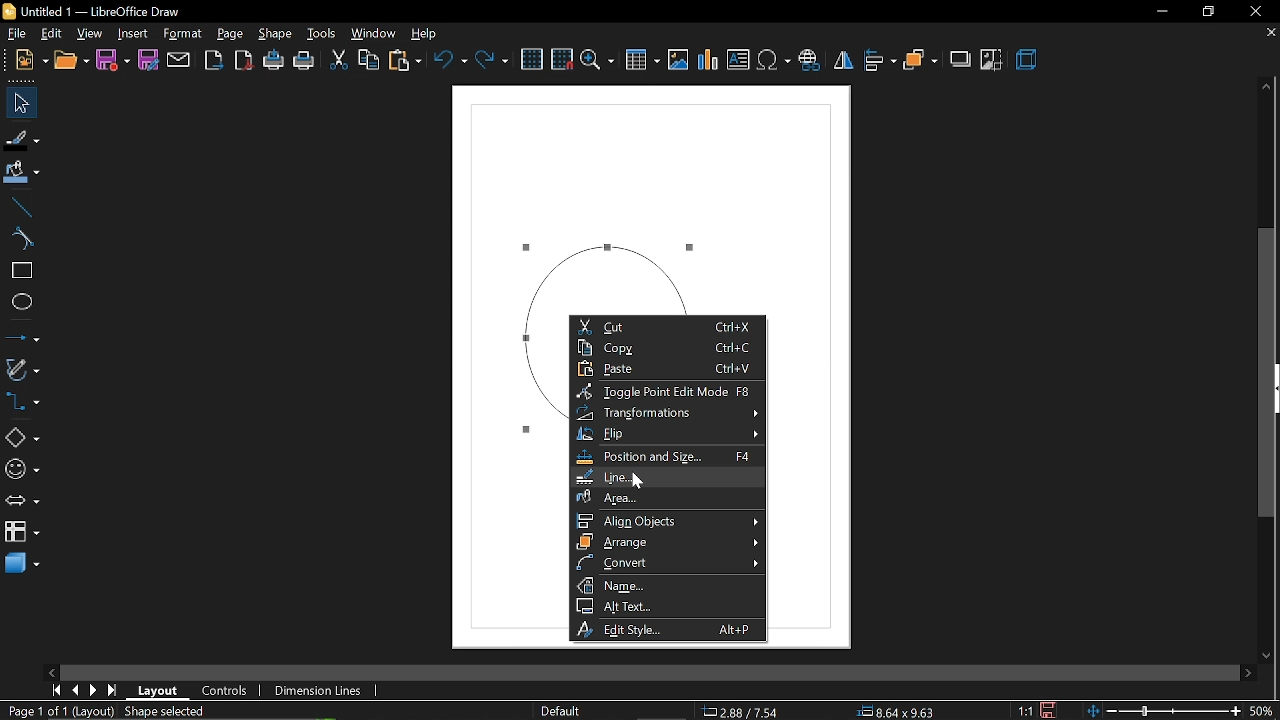 This screenshot has height=720, width=1280. Describe the element at coordinates (1269, 372) in the screenshot. I see `vertical scrollbar` at that location.